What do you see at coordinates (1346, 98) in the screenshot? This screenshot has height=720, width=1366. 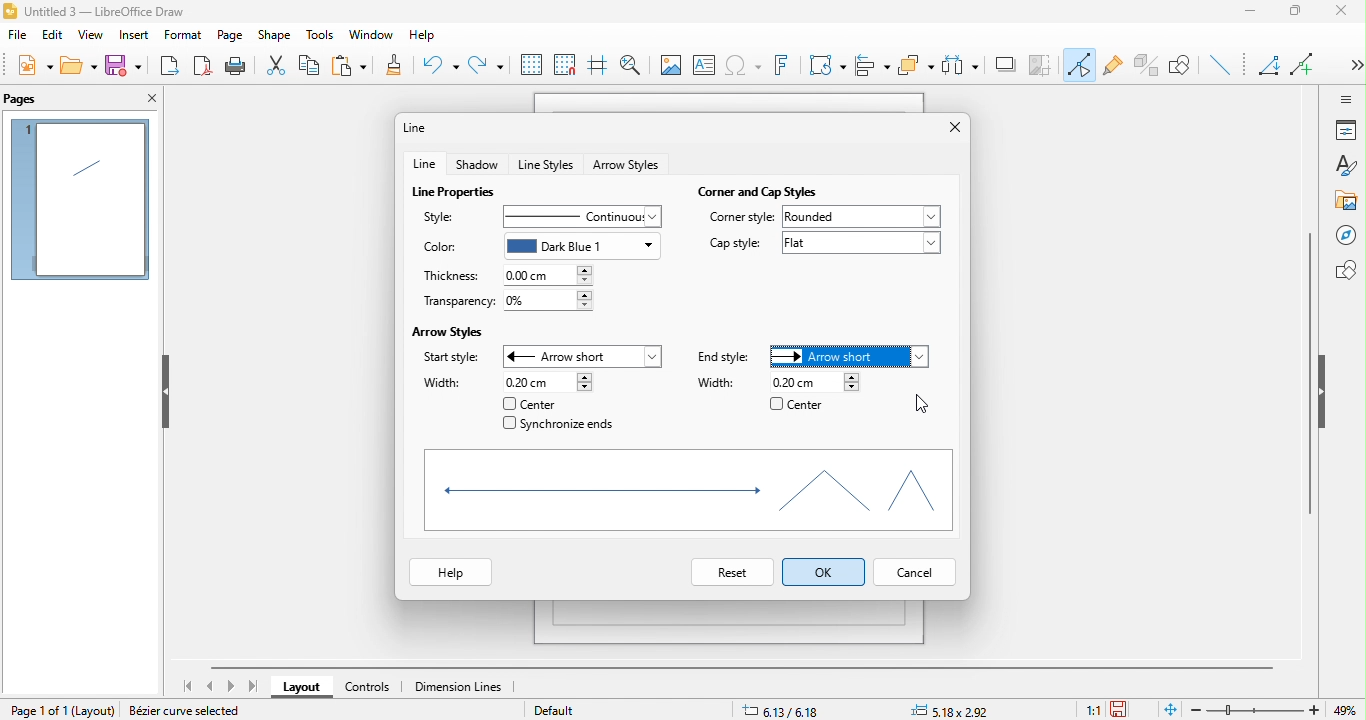 I see `sidebar setting` at bounding box center [1346, 98].